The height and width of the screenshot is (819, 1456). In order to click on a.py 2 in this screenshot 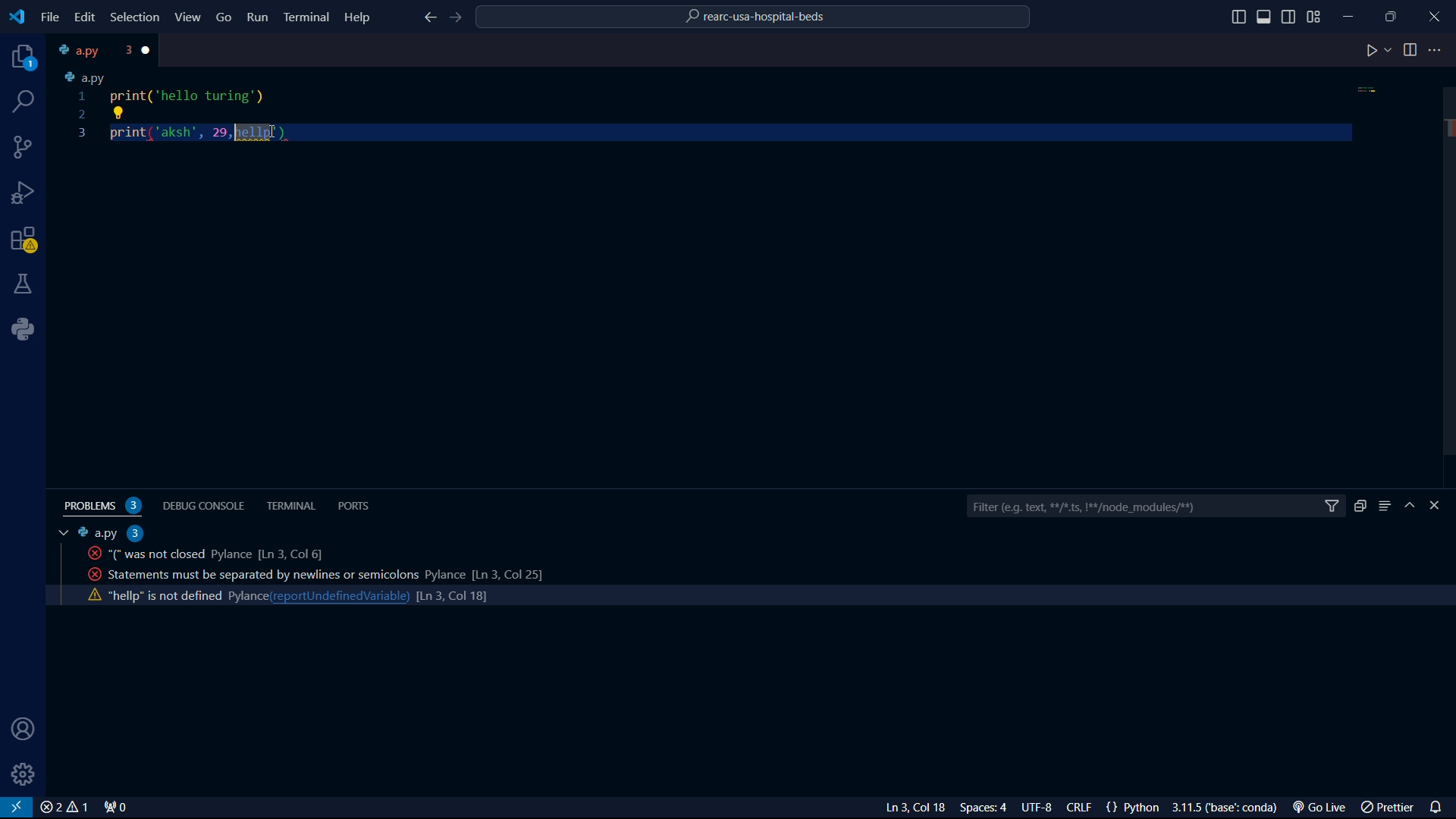, I will do `click(111, 532)`.